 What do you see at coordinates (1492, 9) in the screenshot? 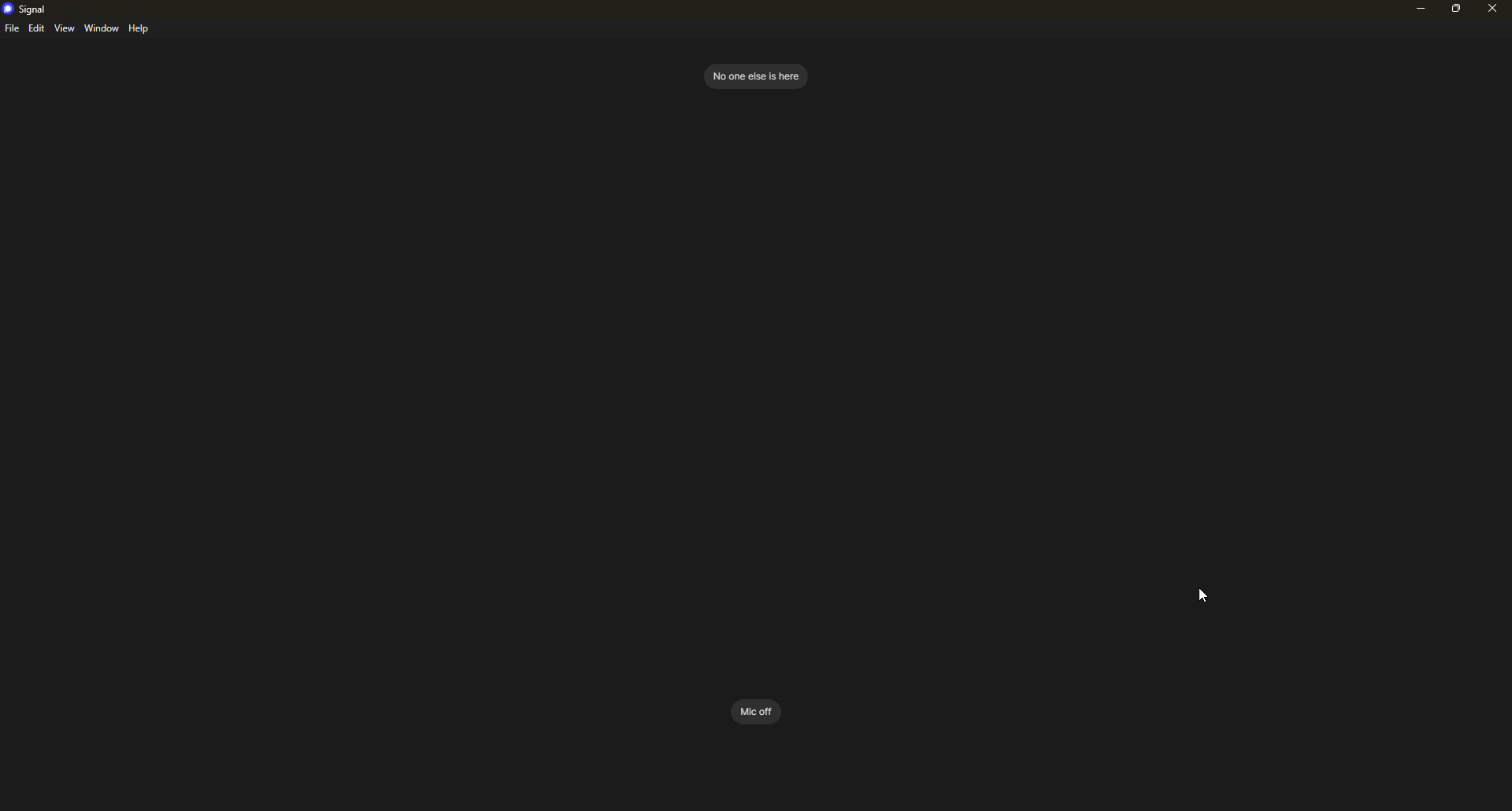
I see `close` at bounding box center [1492, 9].